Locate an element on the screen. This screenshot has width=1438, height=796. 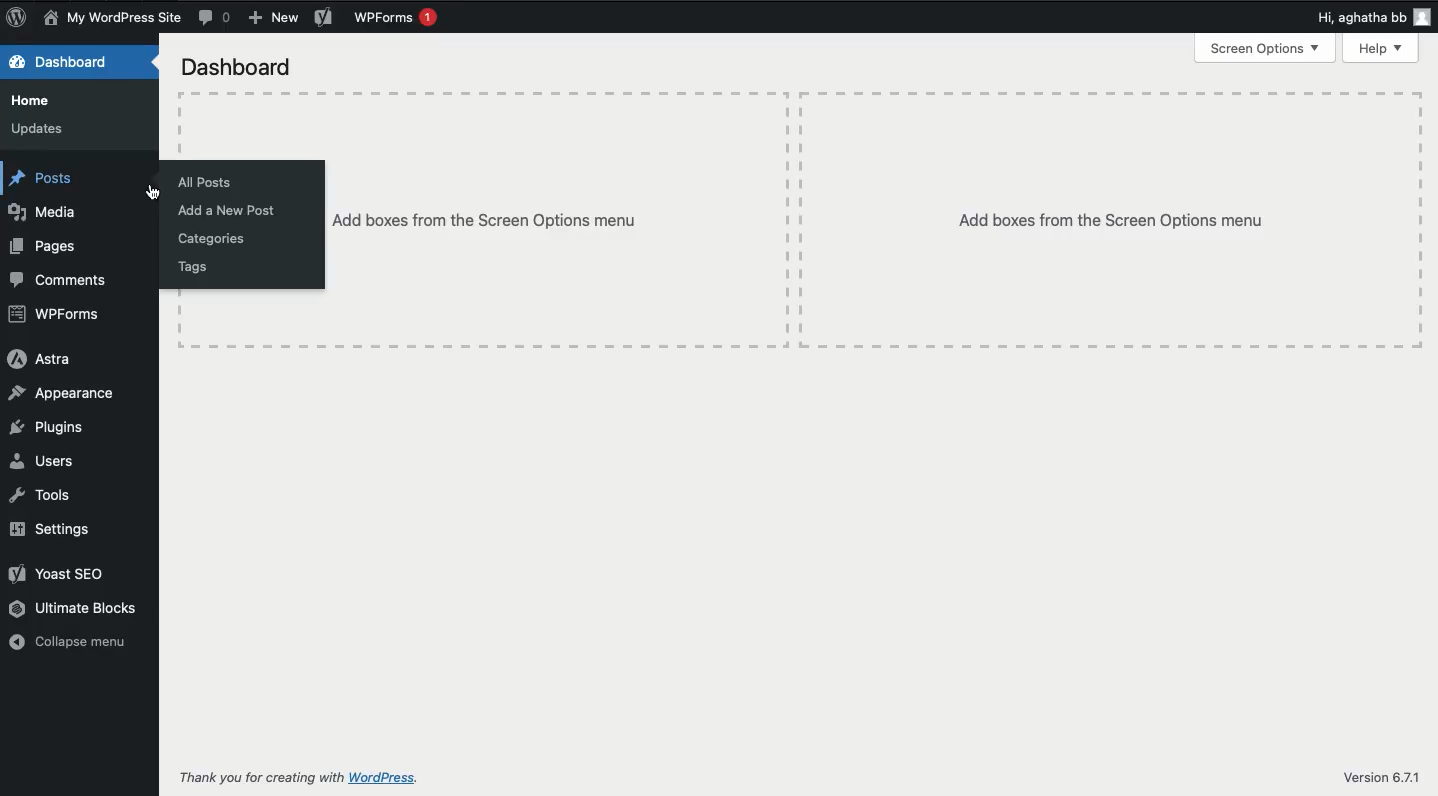
Comment is located at coordinates (214, 18).